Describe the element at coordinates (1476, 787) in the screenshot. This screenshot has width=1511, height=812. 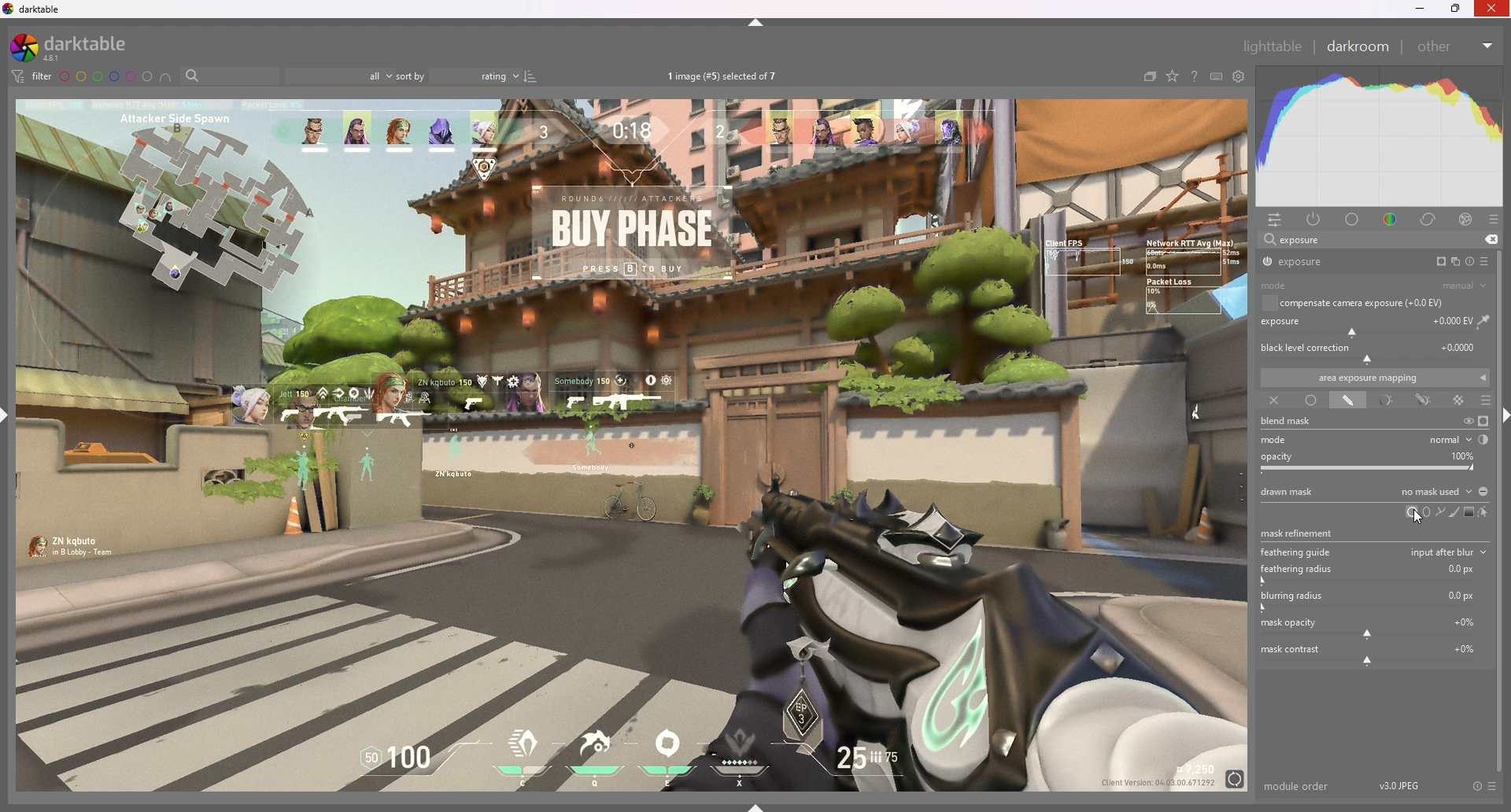
I see `reset` at that location.